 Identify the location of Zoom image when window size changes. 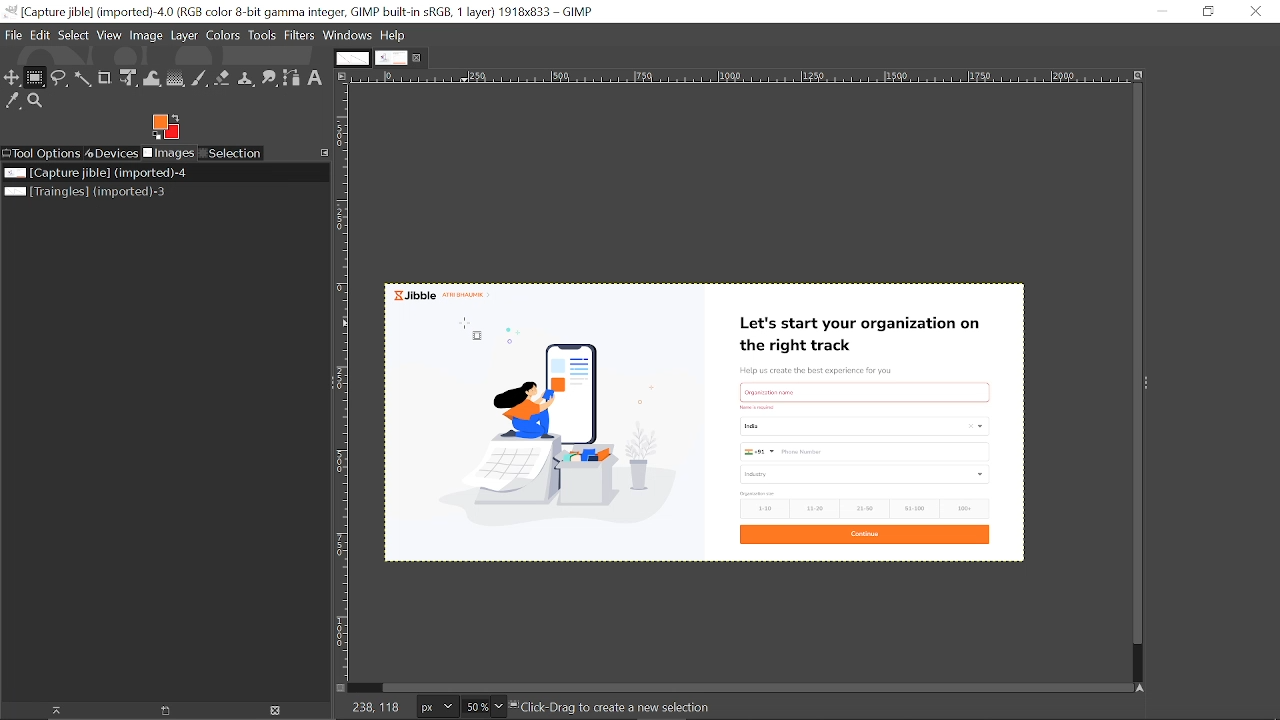
(1136, 75).